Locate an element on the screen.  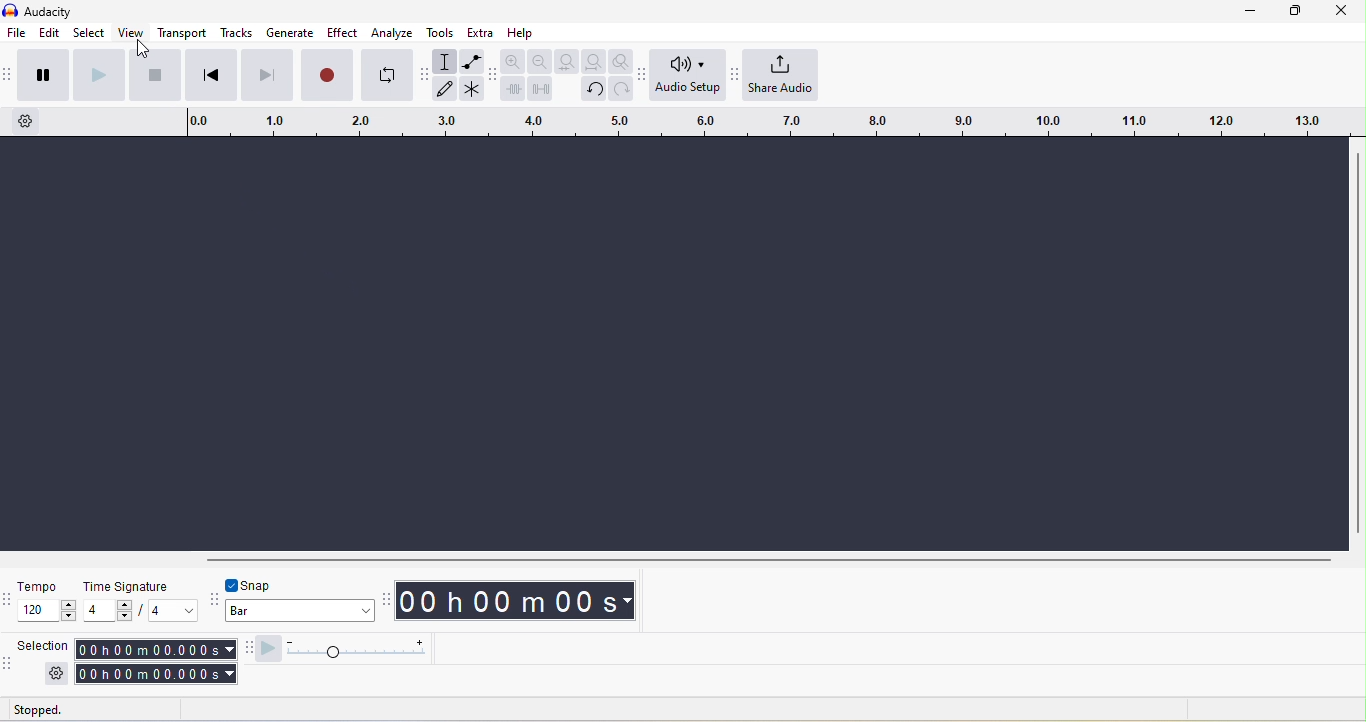
trim audio outside selection is located at coordinates (512, 88).